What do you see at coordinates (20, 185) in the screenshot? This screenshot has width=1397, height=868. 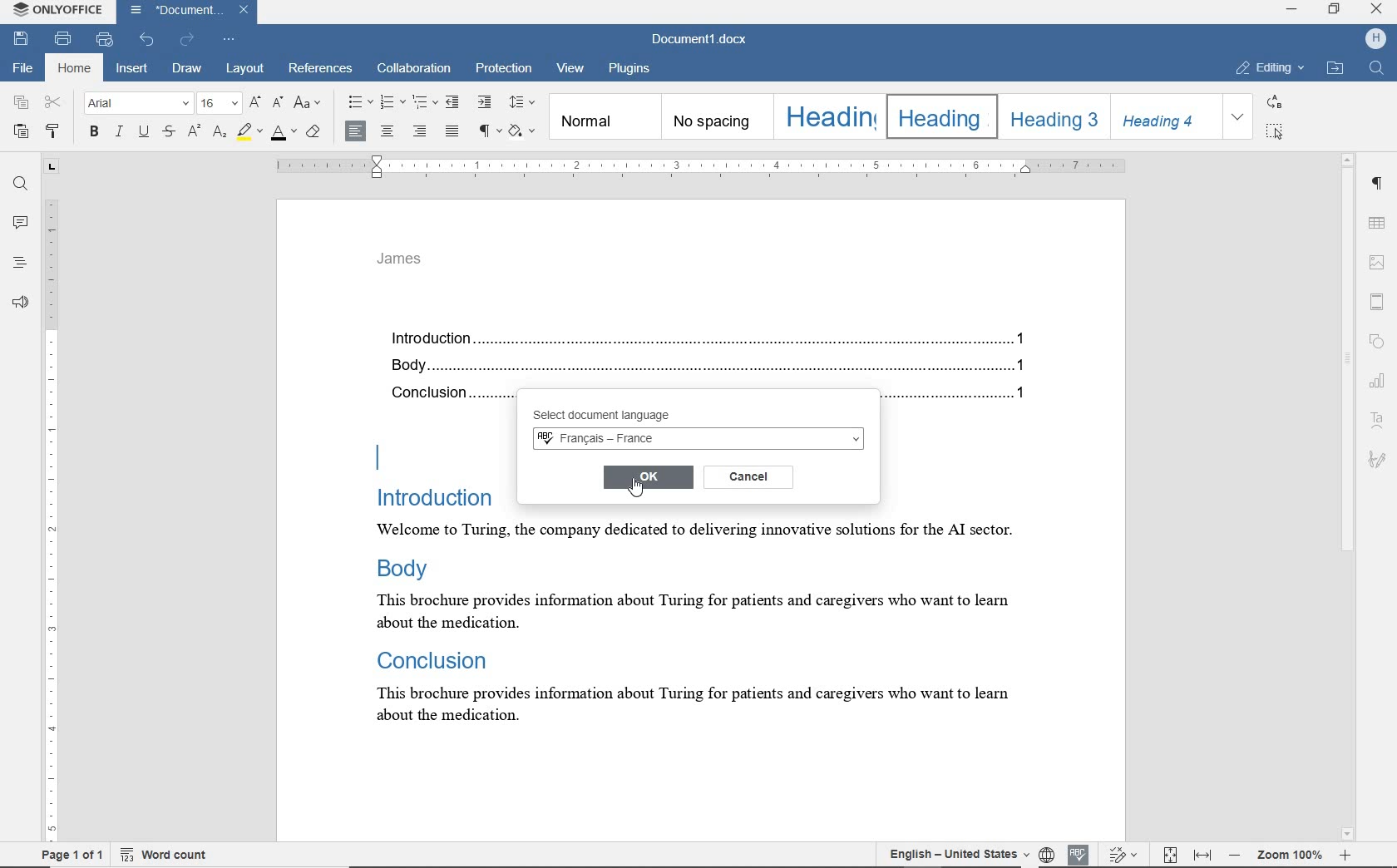 I see `find` at bounding box center [20, 185].